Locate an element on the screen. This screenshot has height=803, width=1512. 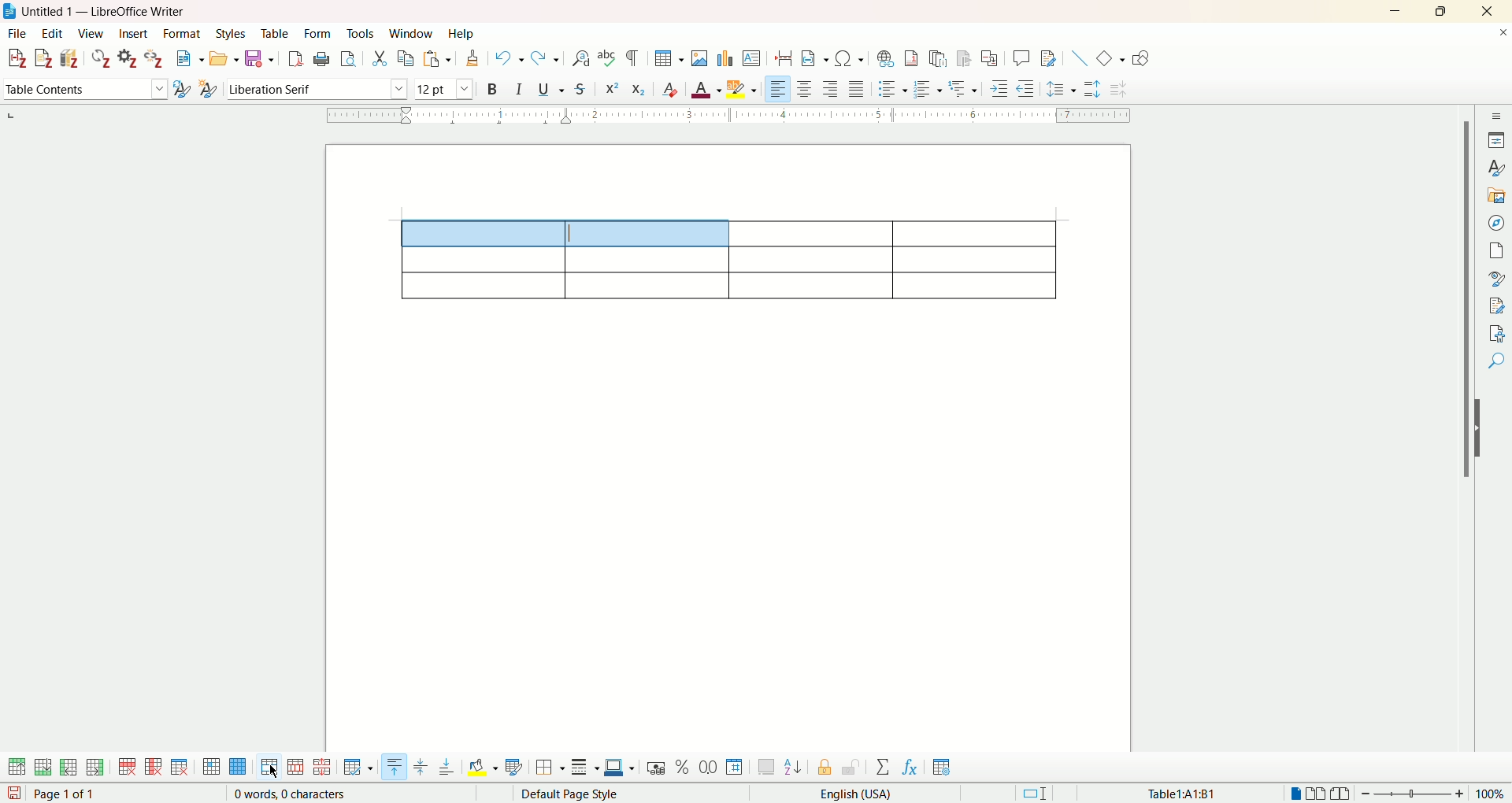
bold is located at coordinates (492, 89).